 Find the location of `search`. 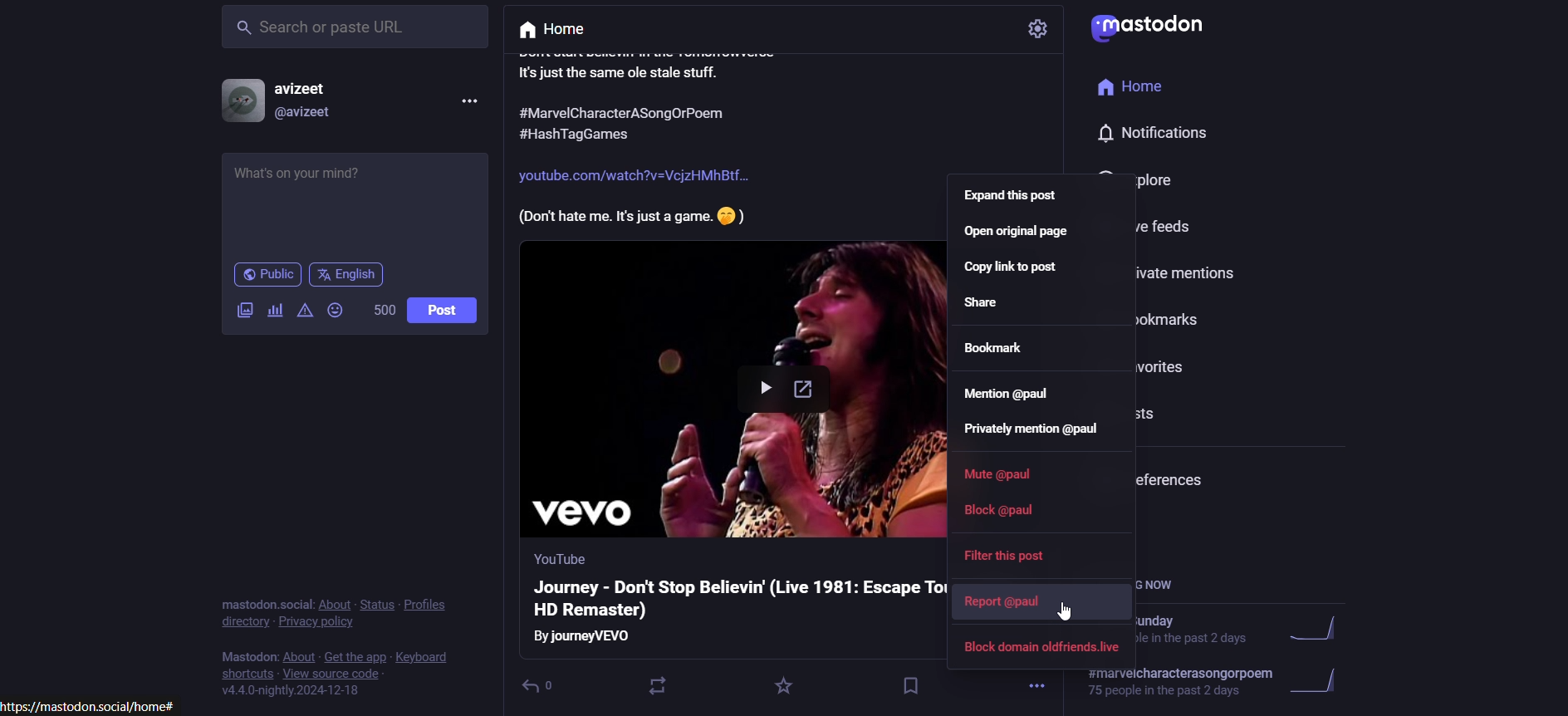

search is located at coordinates (351, 35).